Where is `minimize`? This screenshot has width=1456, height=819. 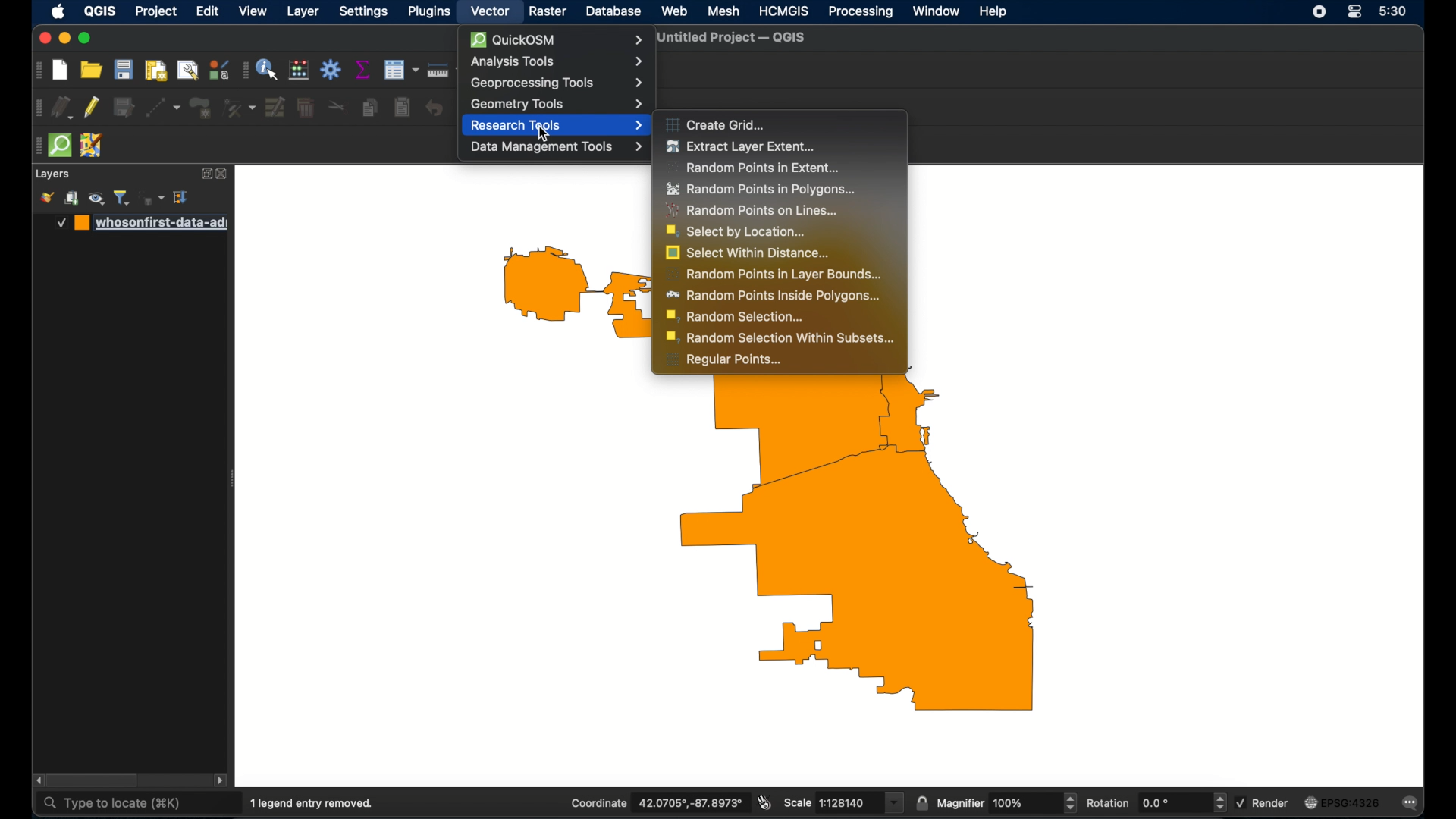
minimize is located at coordinates (65, 38).